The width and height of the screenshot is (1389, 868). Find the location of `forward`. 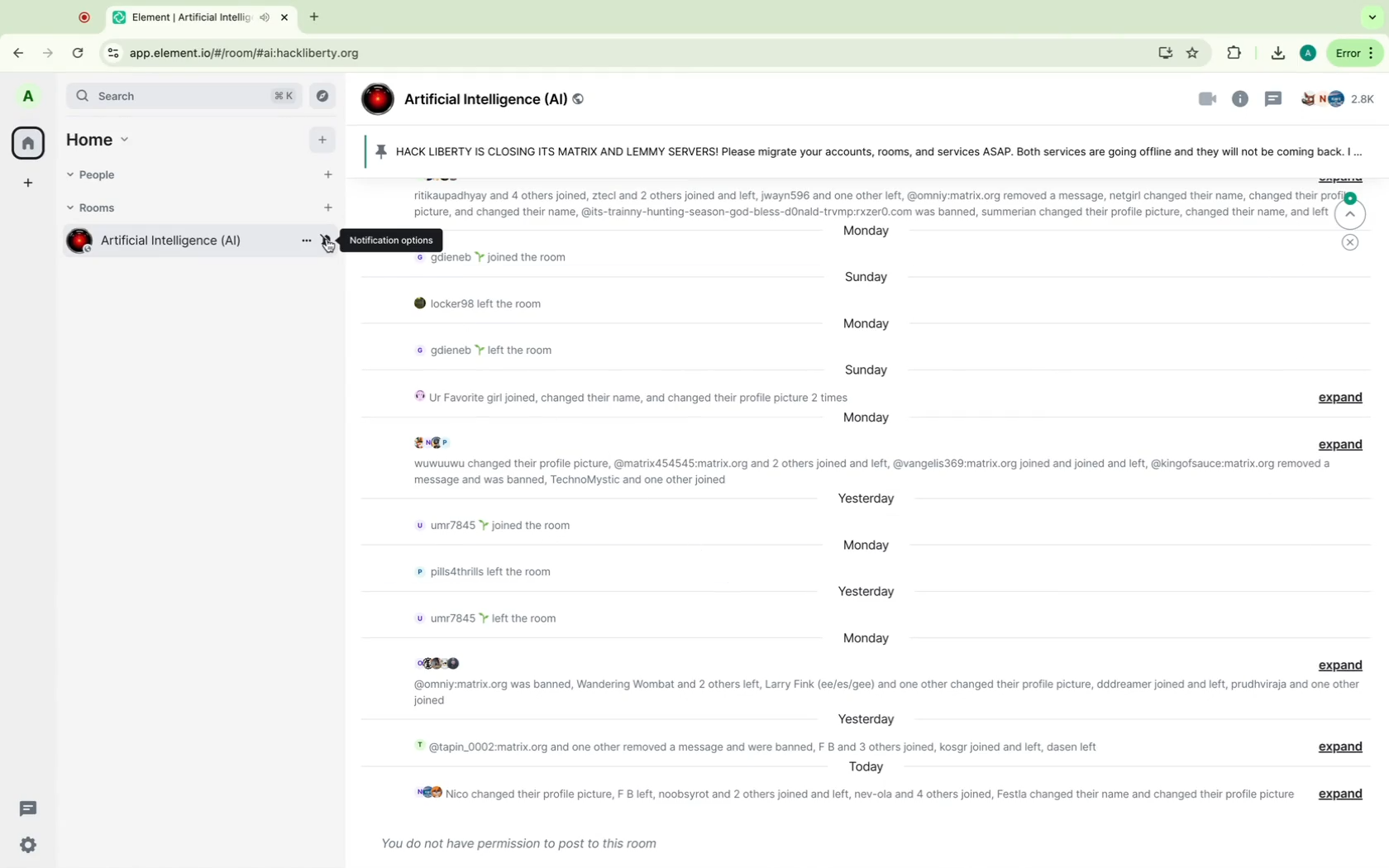

forward is located at coordinates (45, 52).